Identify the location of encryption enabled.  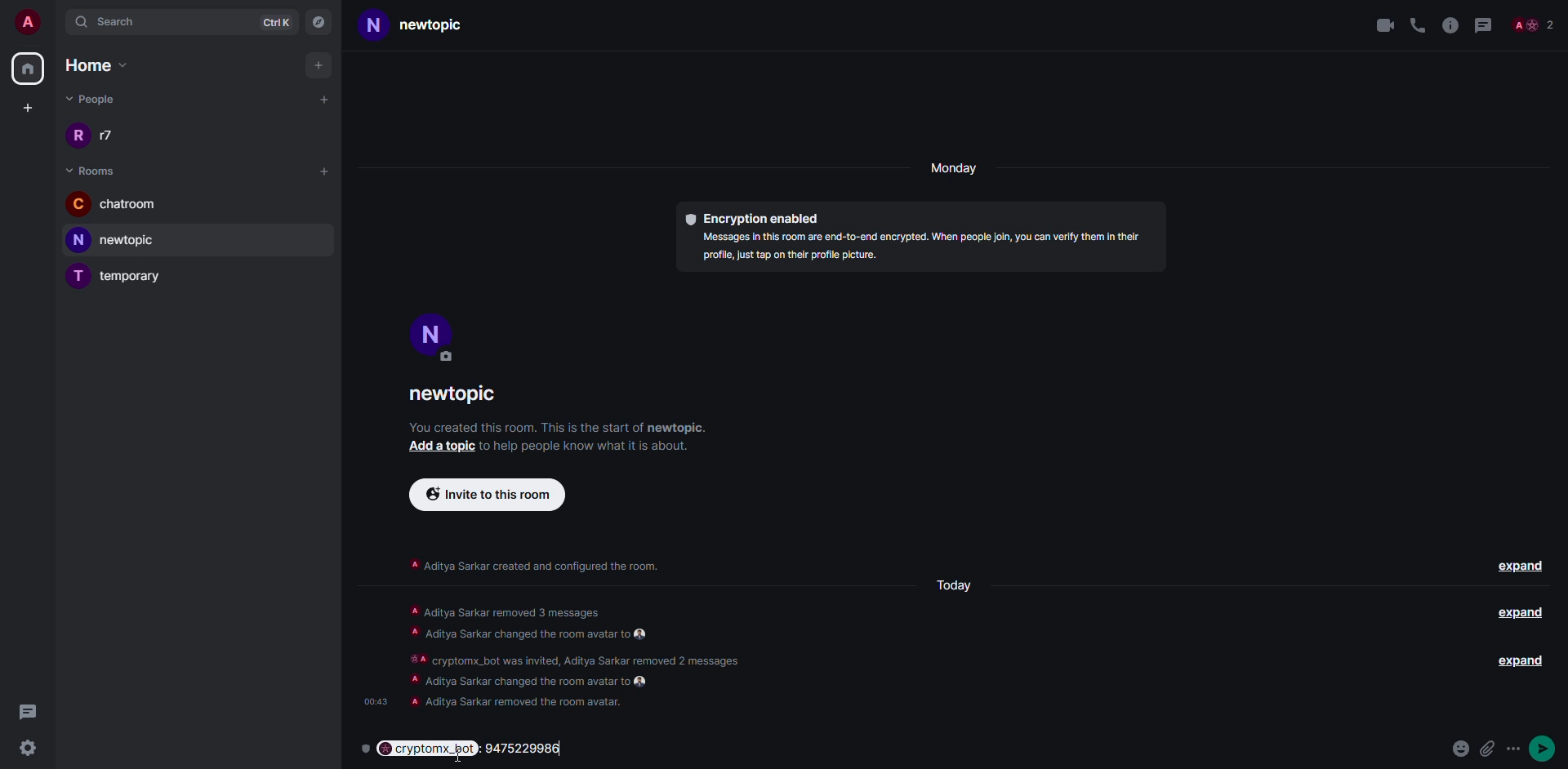
(751, 214).